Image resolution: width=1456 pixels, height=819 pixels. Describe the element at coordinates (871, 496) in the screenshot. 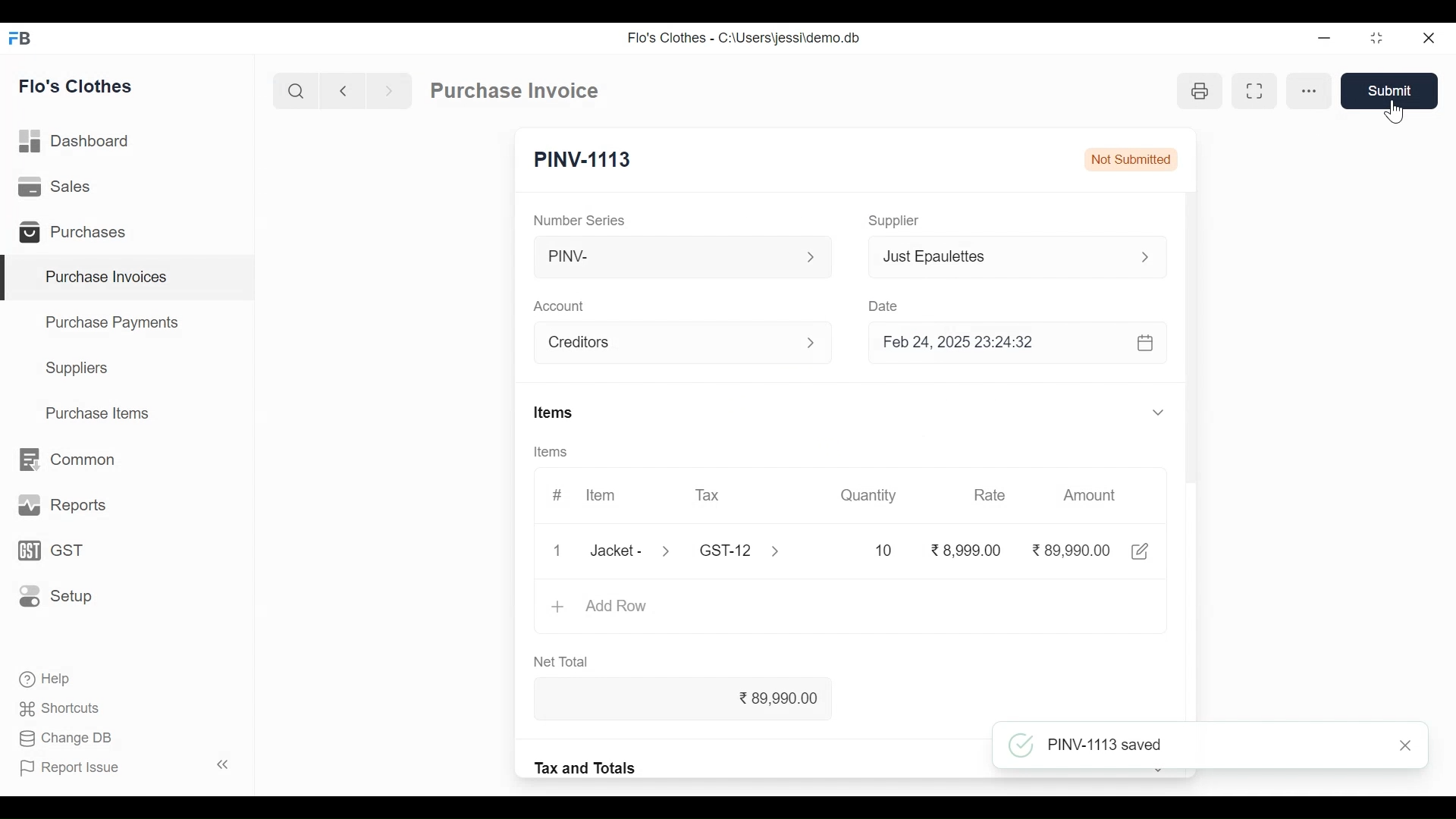

I see `Quantity` at that location.